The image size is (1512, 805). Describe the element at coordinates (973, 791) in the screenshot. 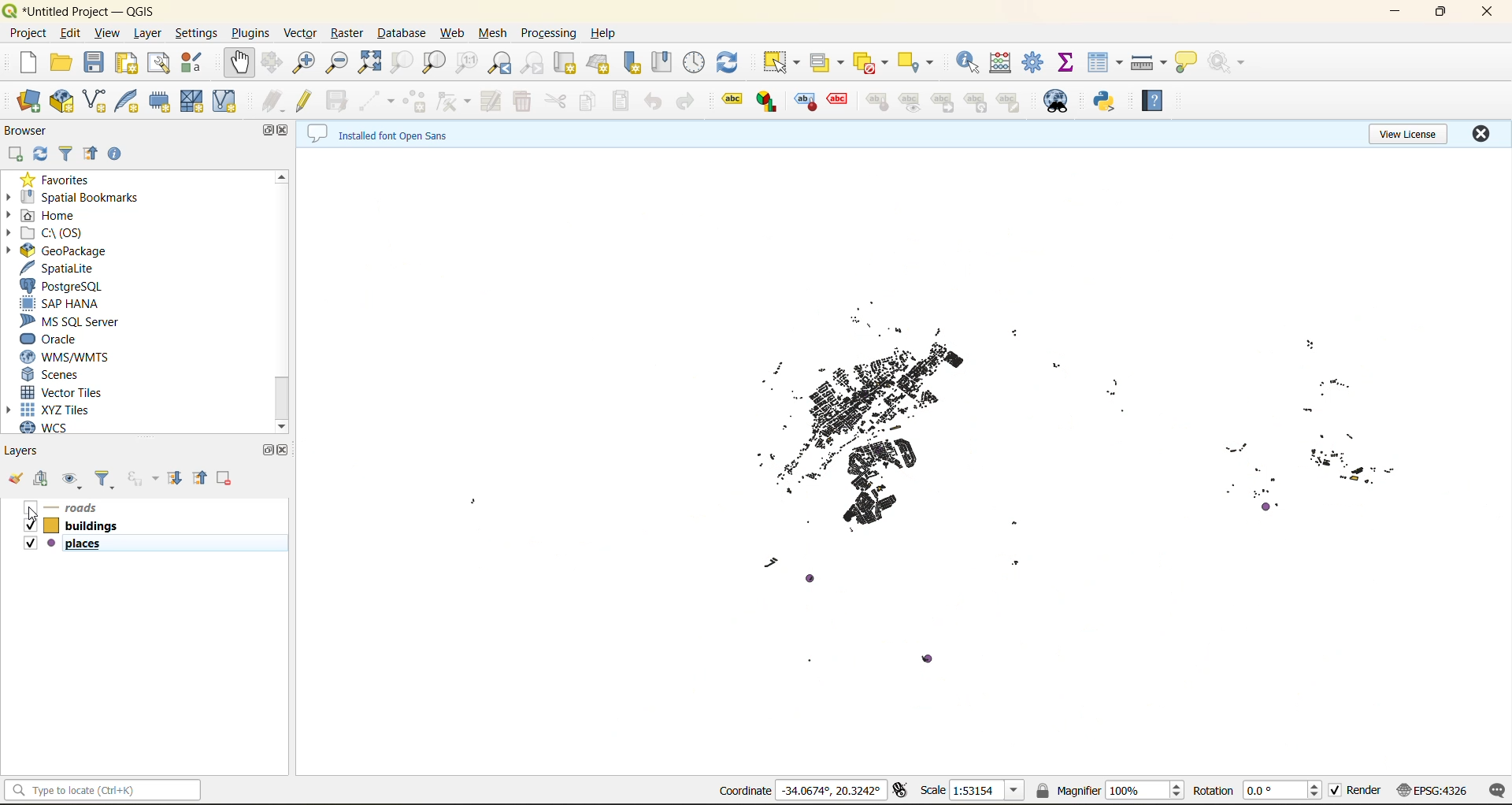

I see `scale` at that location.